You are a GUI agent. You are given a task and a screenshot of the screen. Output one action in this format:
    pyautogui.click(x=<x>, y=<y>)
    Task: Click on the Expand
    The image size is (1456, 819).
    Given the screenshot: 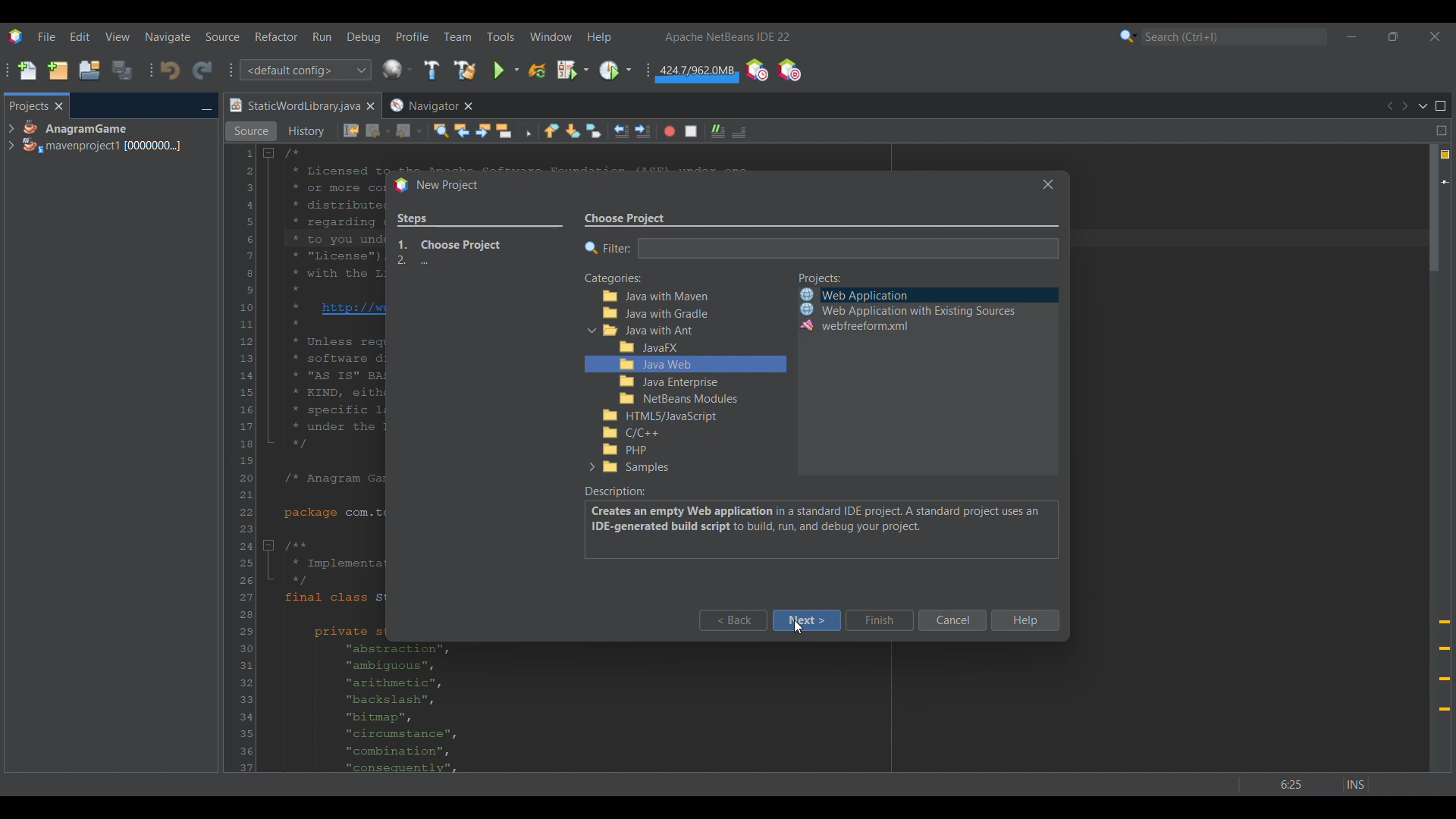 What is the action you would take?
    pyautogui.click(x=11, y=137)
    